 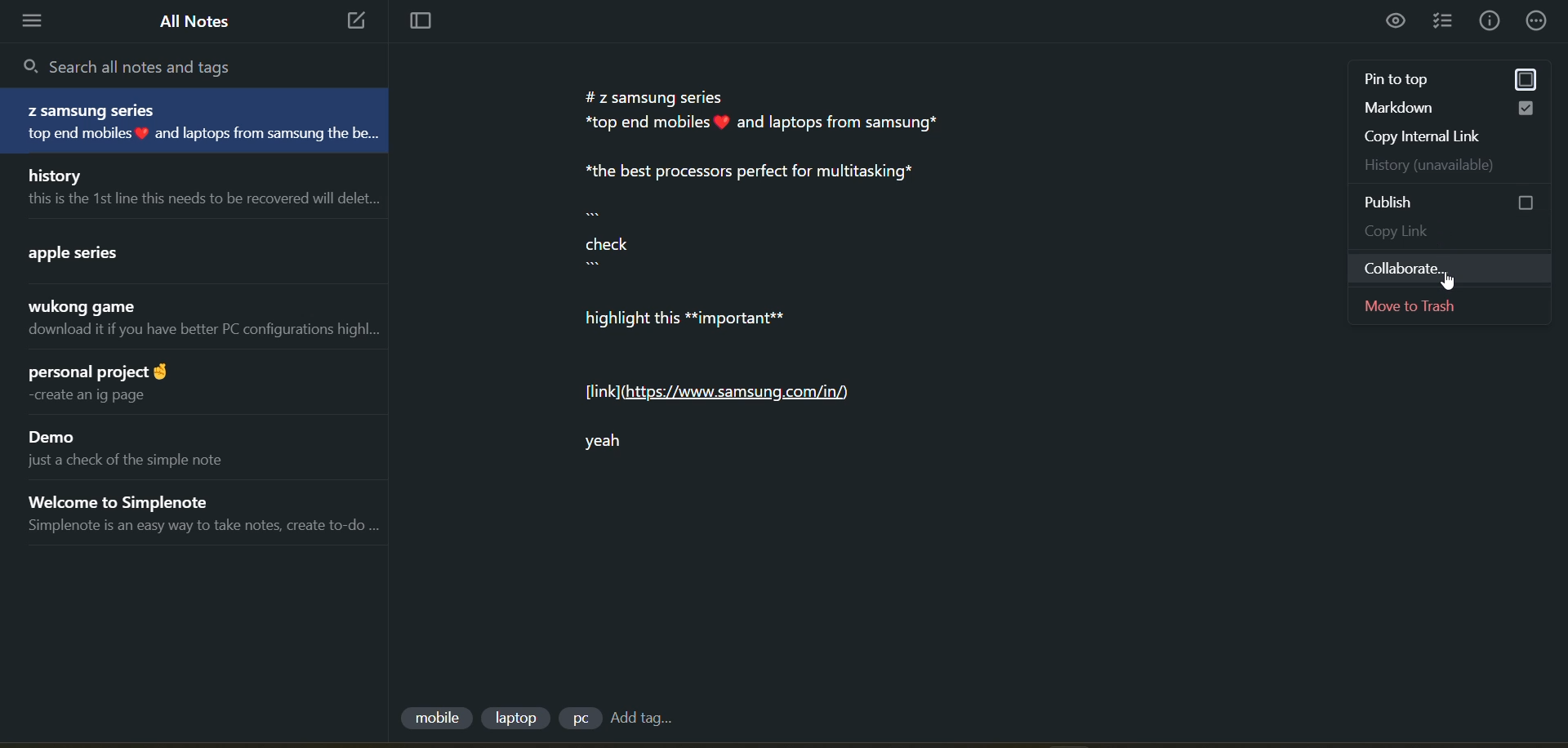 What do you see at coordinates (186, 446) in the screenshot?
I see `note title and preview` at bounding box center [186, 446].